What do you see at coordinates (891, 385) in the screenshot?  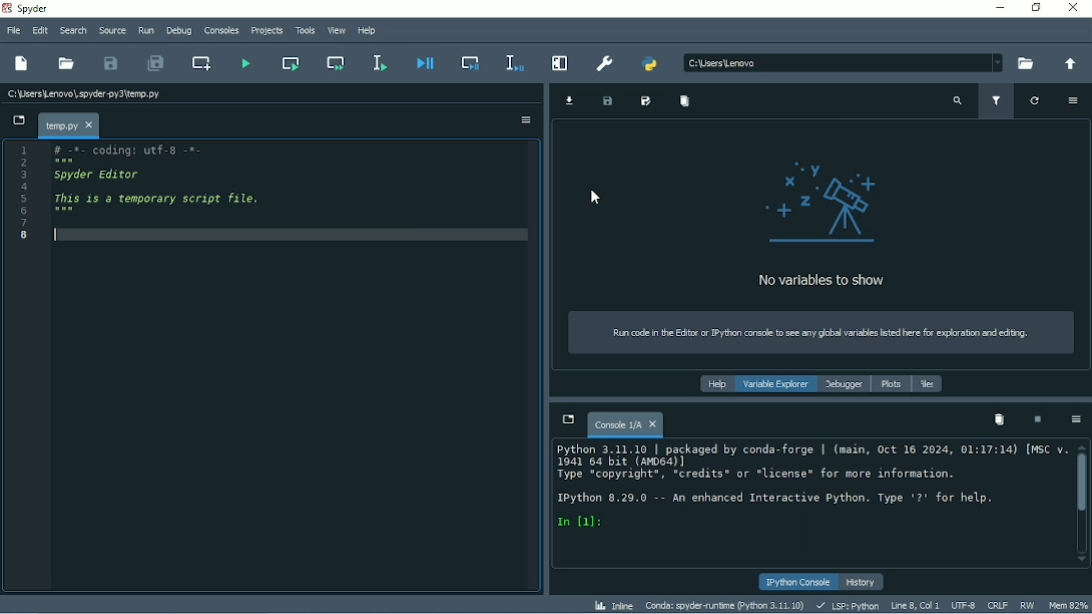 I see `Plots` at bounding box center [891, 385].